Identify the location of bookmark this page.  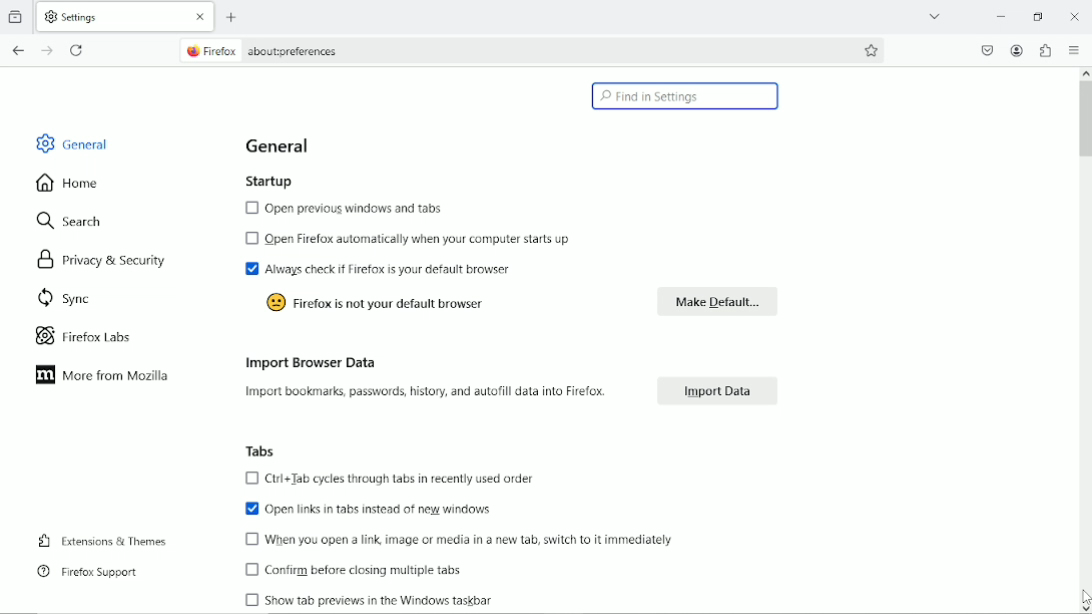
(871, 51).